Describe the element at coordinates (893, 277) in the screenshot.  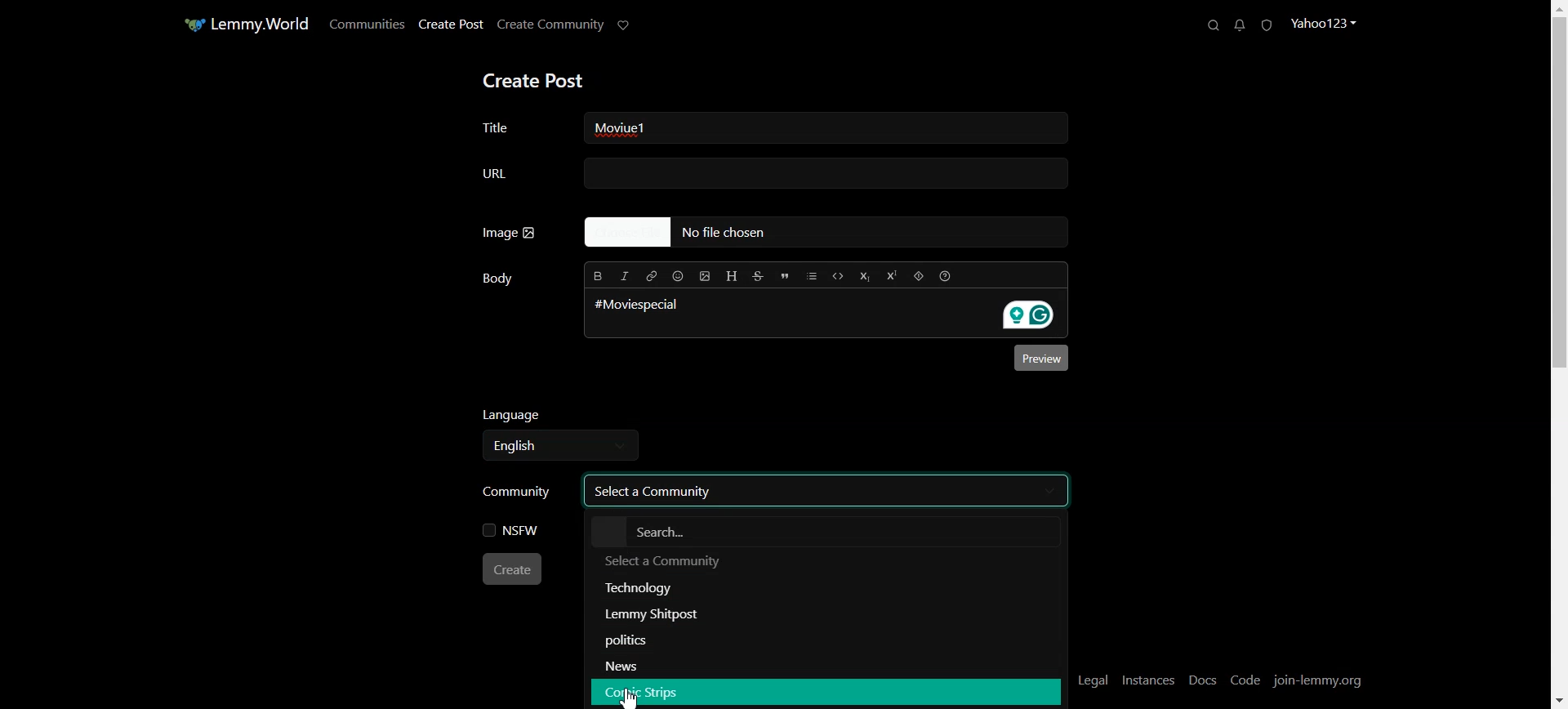
I see `Superscript` at that location.